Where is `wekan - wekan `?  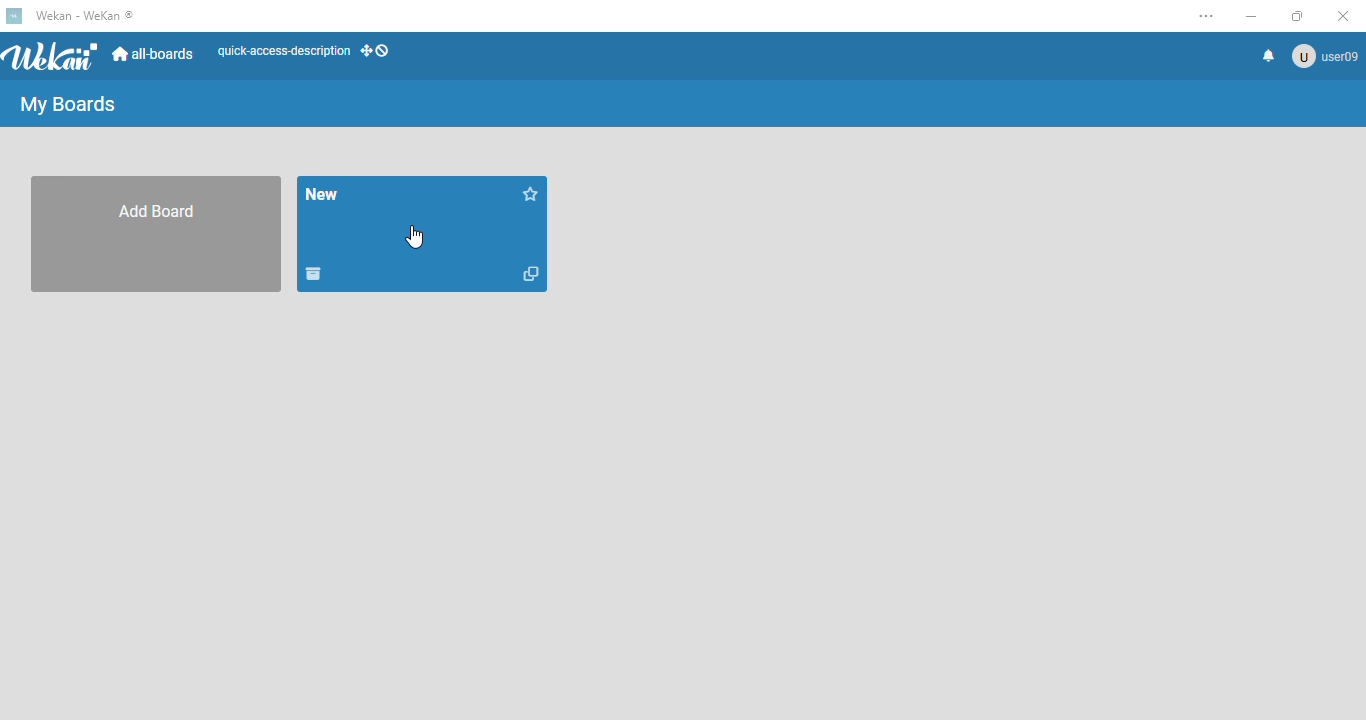 wekan - wekan  is located at coordinates (85, 15).